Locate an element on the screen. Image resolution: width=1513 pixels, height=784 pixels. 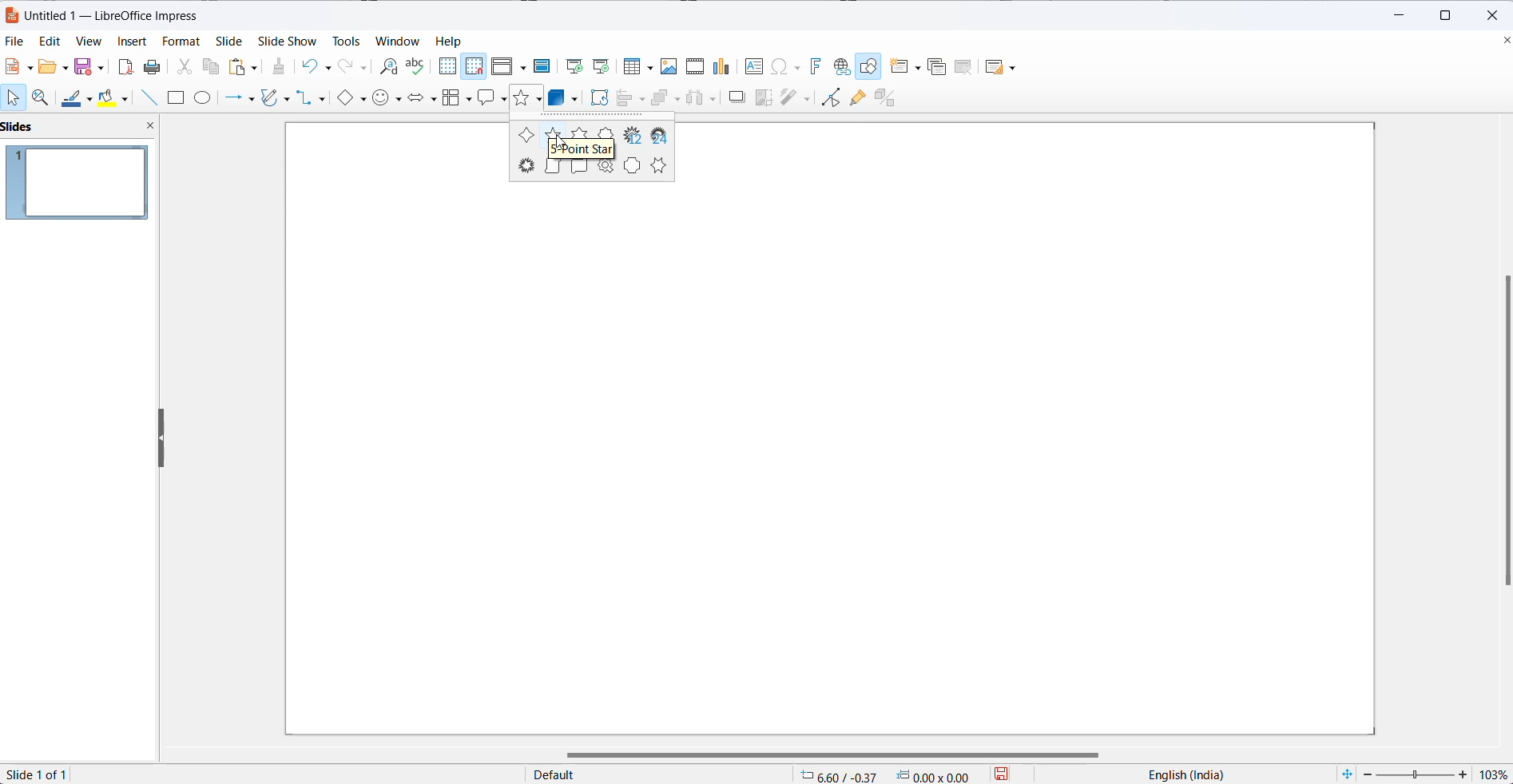
master slide is located at coordinates (542, 65).